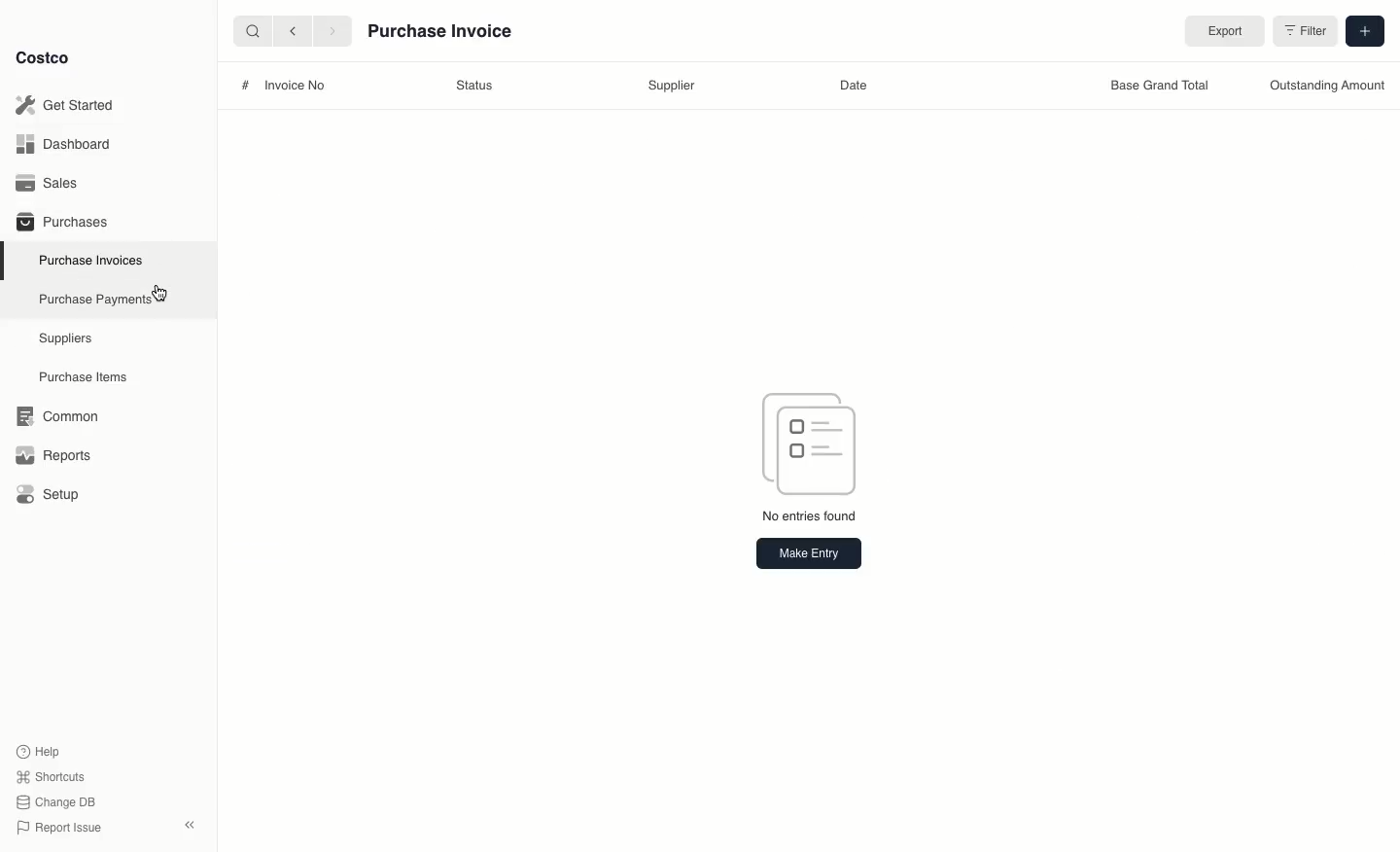 The width and height of the screenshot is (1400, 852). What do you see at coordinates (812, 442) in the screenshot?
I see `Emblem` at bounding box center [812, 442].